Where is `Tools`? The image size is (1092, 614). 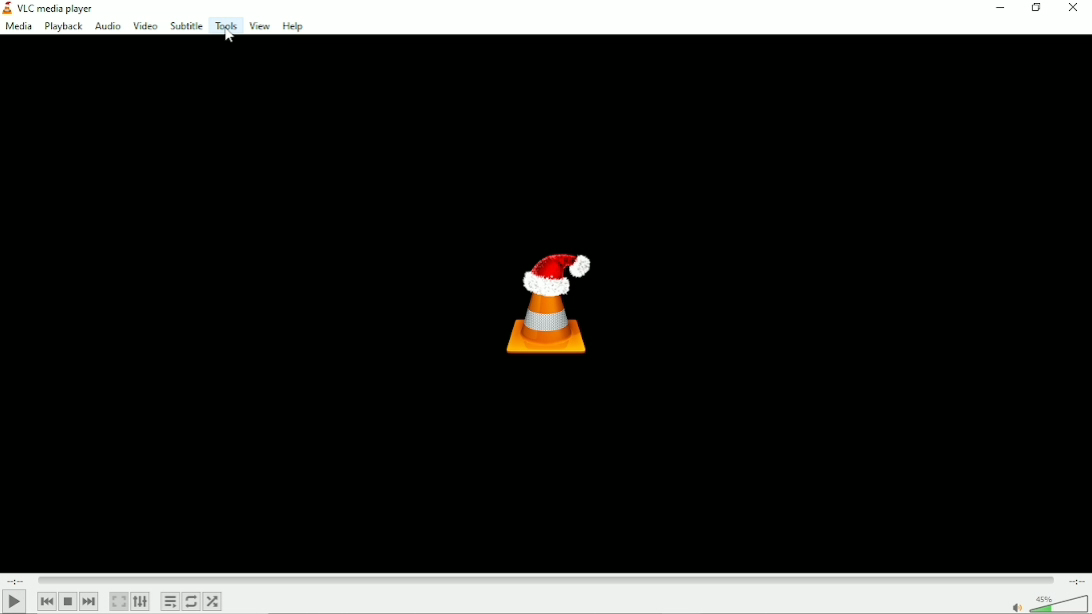
Tools is located at coordinates (226, 25).